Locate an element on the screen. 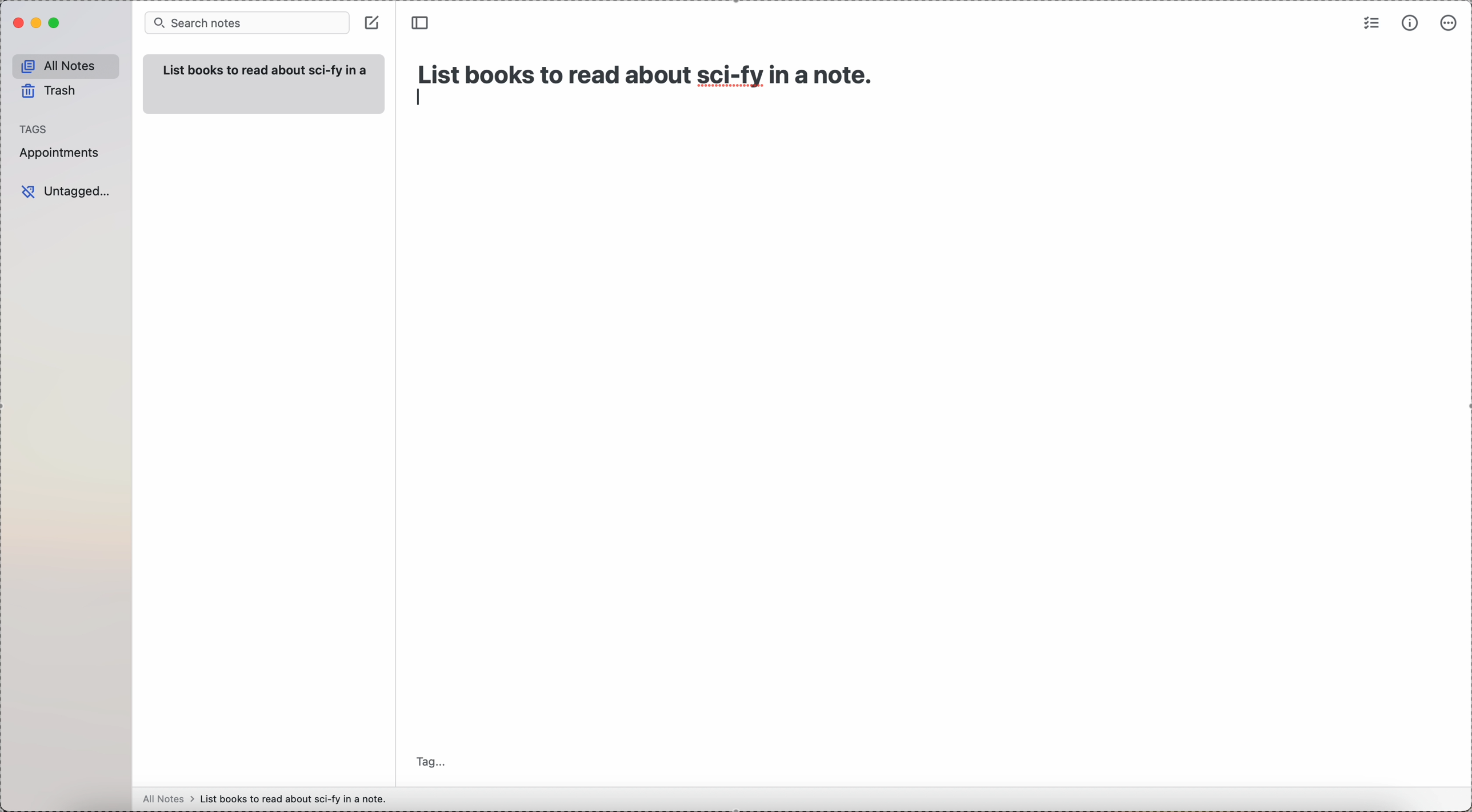 The height and width of the screenshot is (812, 1472). tag... is located at coordinates (431, 754).